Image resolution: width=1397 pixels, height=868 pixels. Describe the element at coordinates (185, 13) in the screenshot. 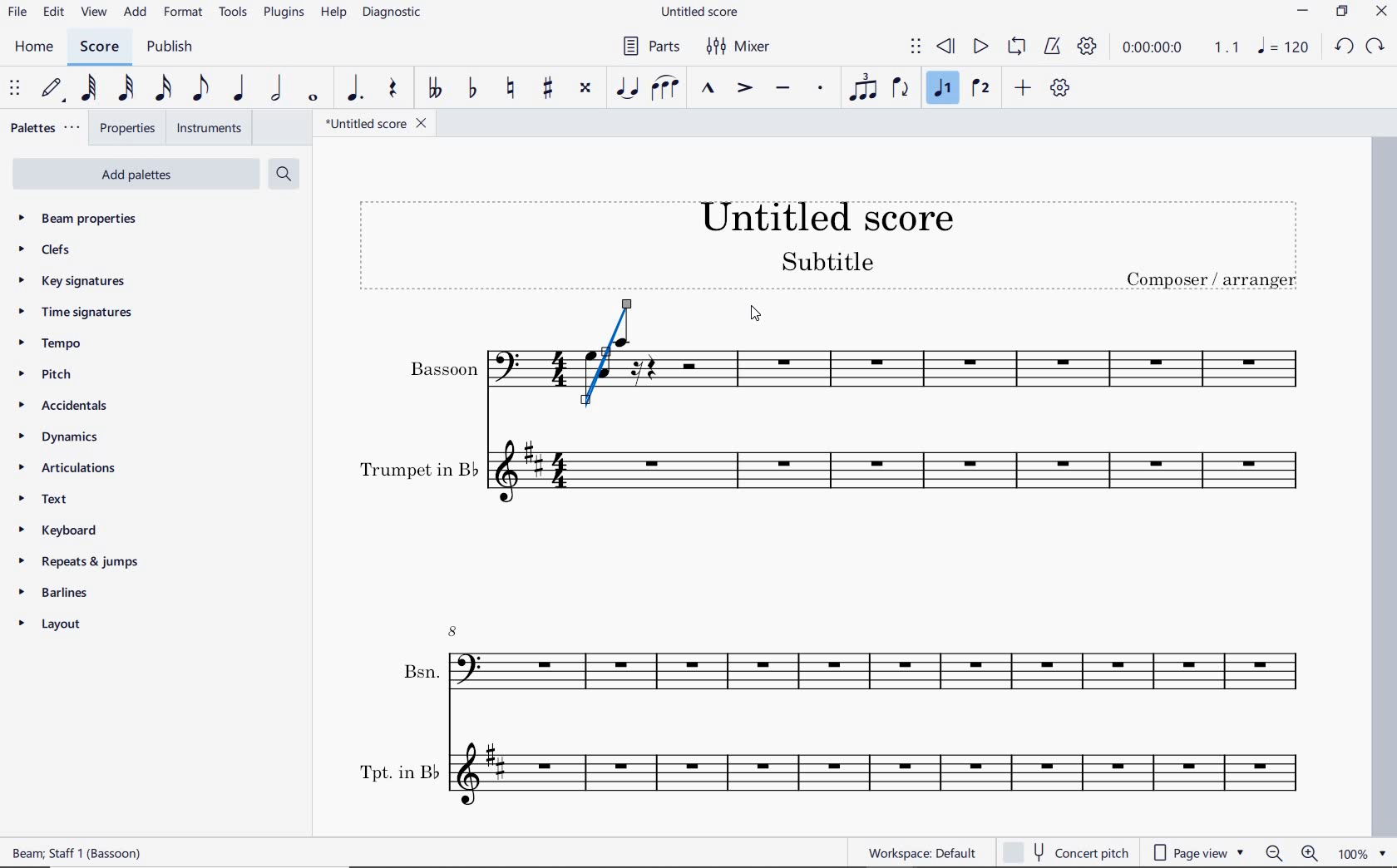

I see `format` at that location.